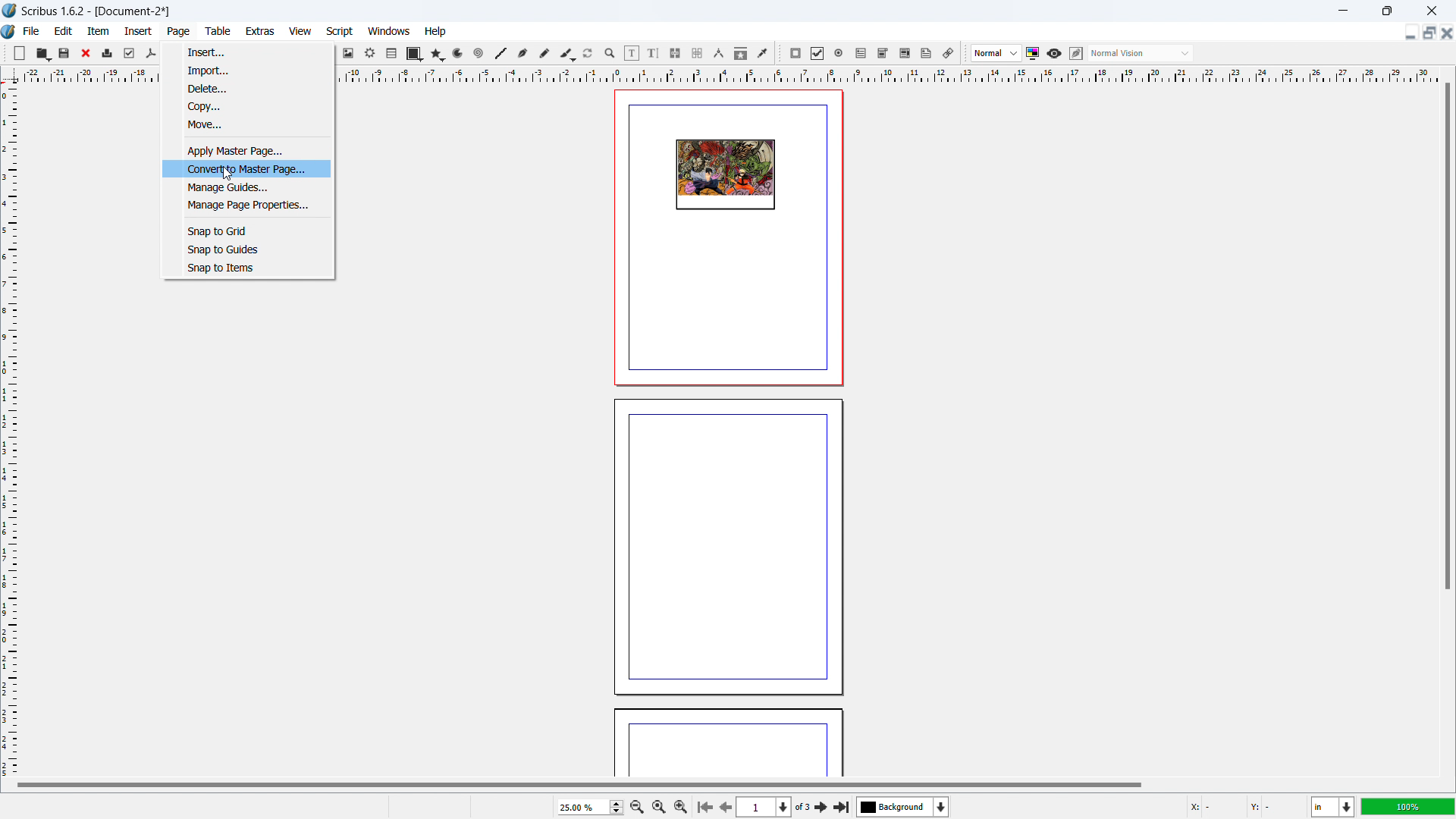 The image size is (1456, 819). I want to click on table, so click(392, 54).